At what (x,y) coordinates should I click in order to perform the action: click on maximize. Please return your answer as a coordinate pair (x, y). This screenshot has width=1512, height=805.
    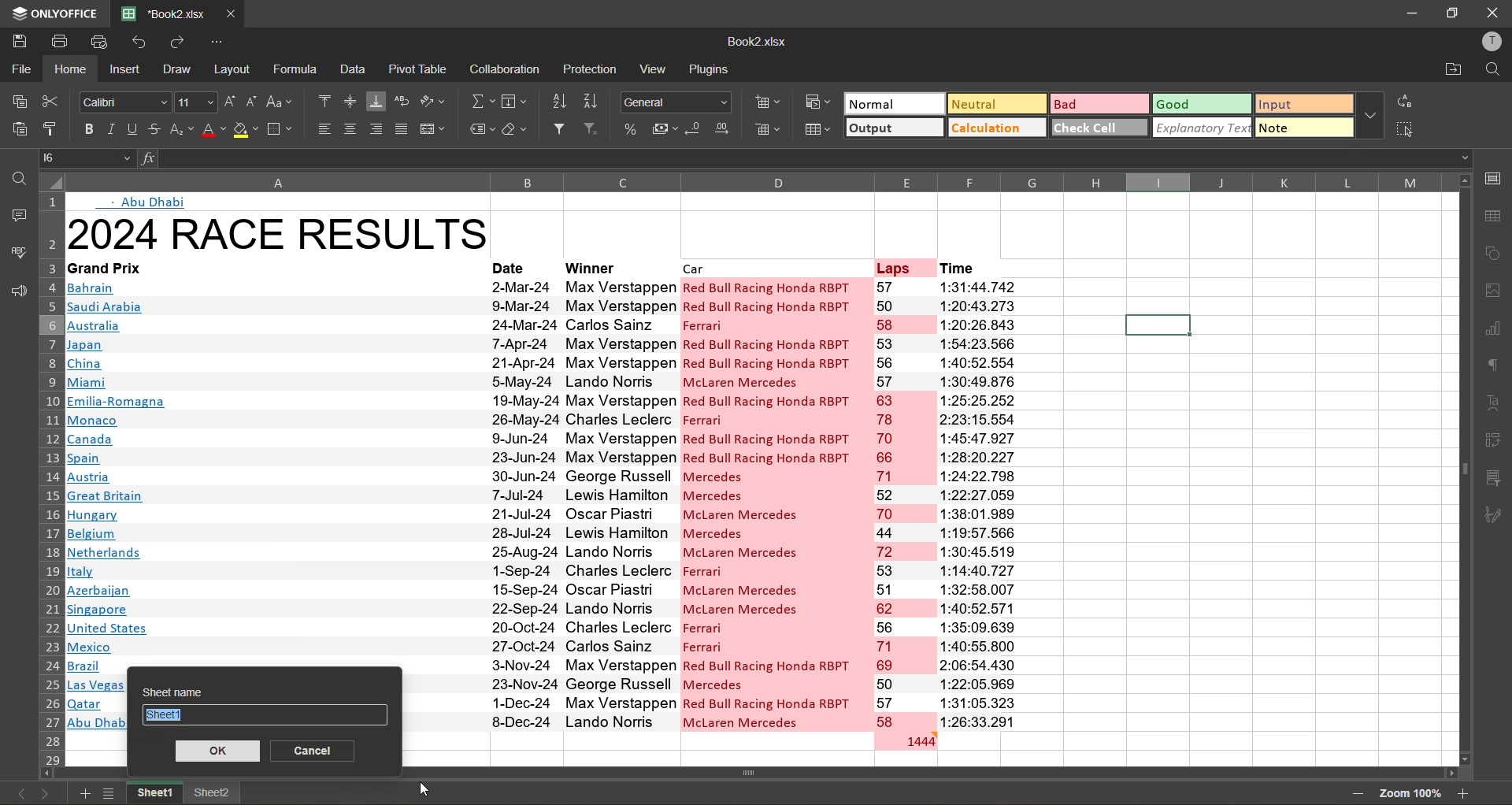
    Looking at the image, I should click on (1450, 13).